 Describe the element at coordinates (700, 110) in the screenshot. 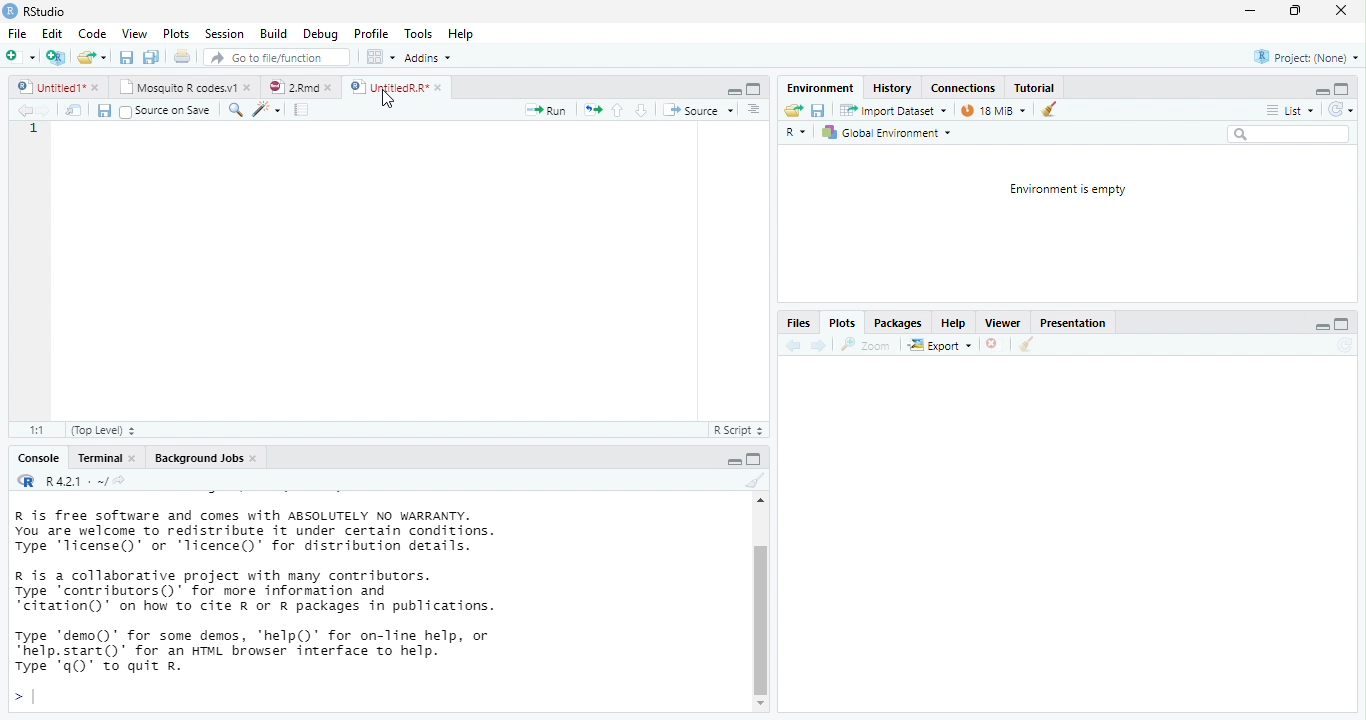

I see `‘Source` at that location.